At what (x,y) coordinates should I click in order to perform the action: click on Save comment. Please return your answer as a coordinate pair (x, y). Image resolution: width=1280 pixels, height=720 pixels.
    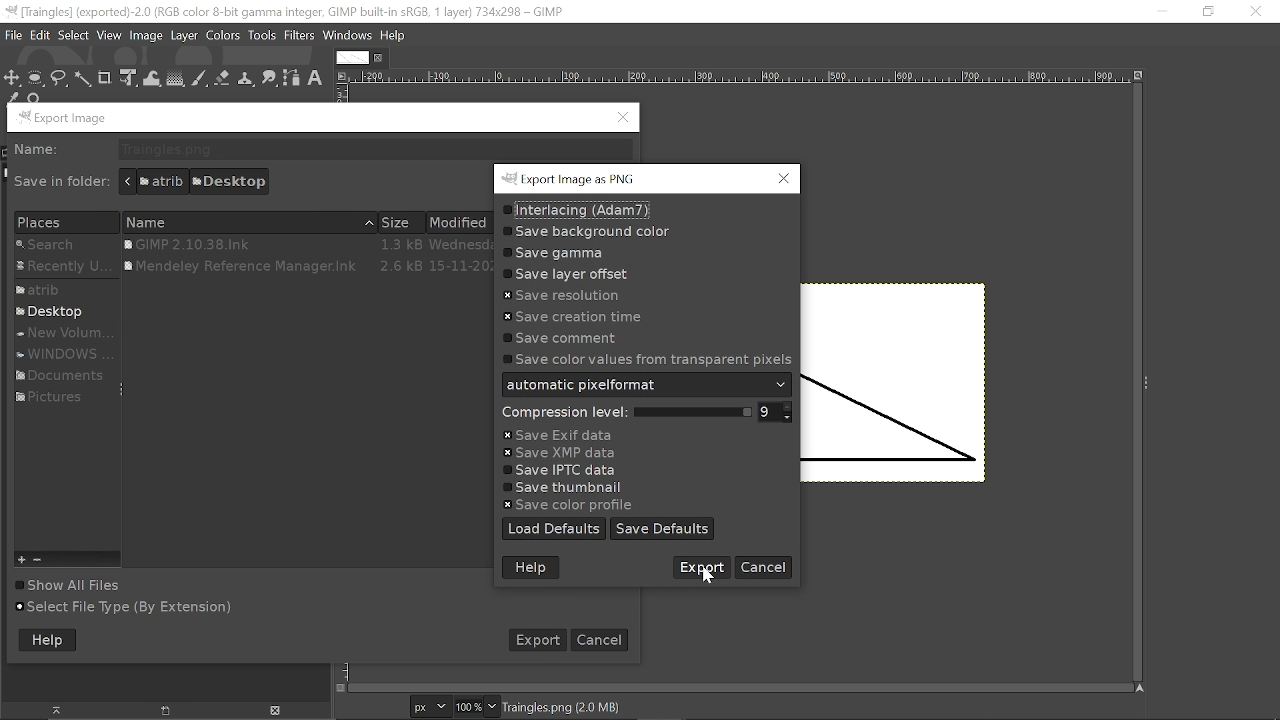
    Looking at the image, I should click on (561, 338).